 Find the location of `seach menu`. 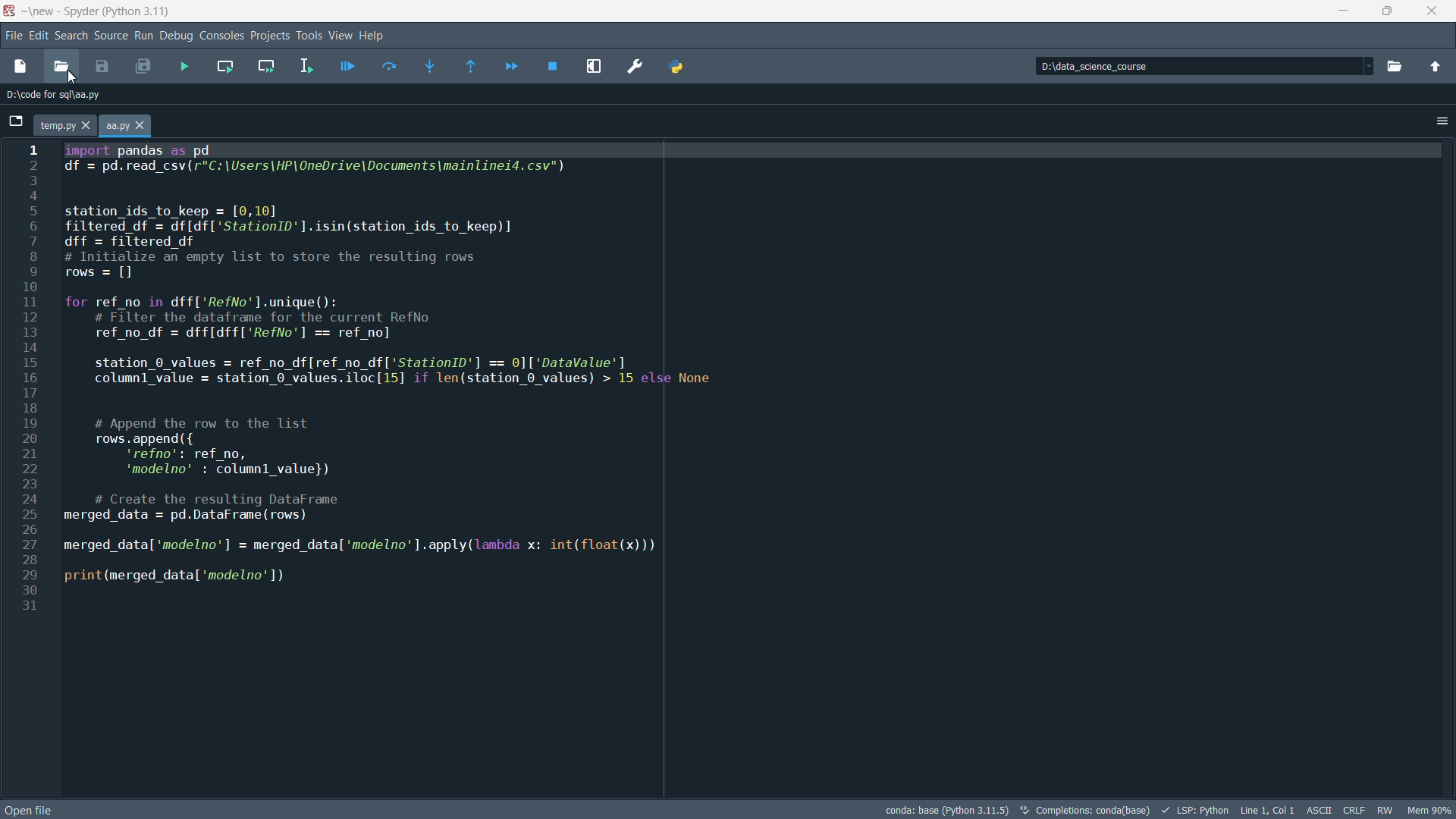

seach menu is located at coordinates (72, 35).